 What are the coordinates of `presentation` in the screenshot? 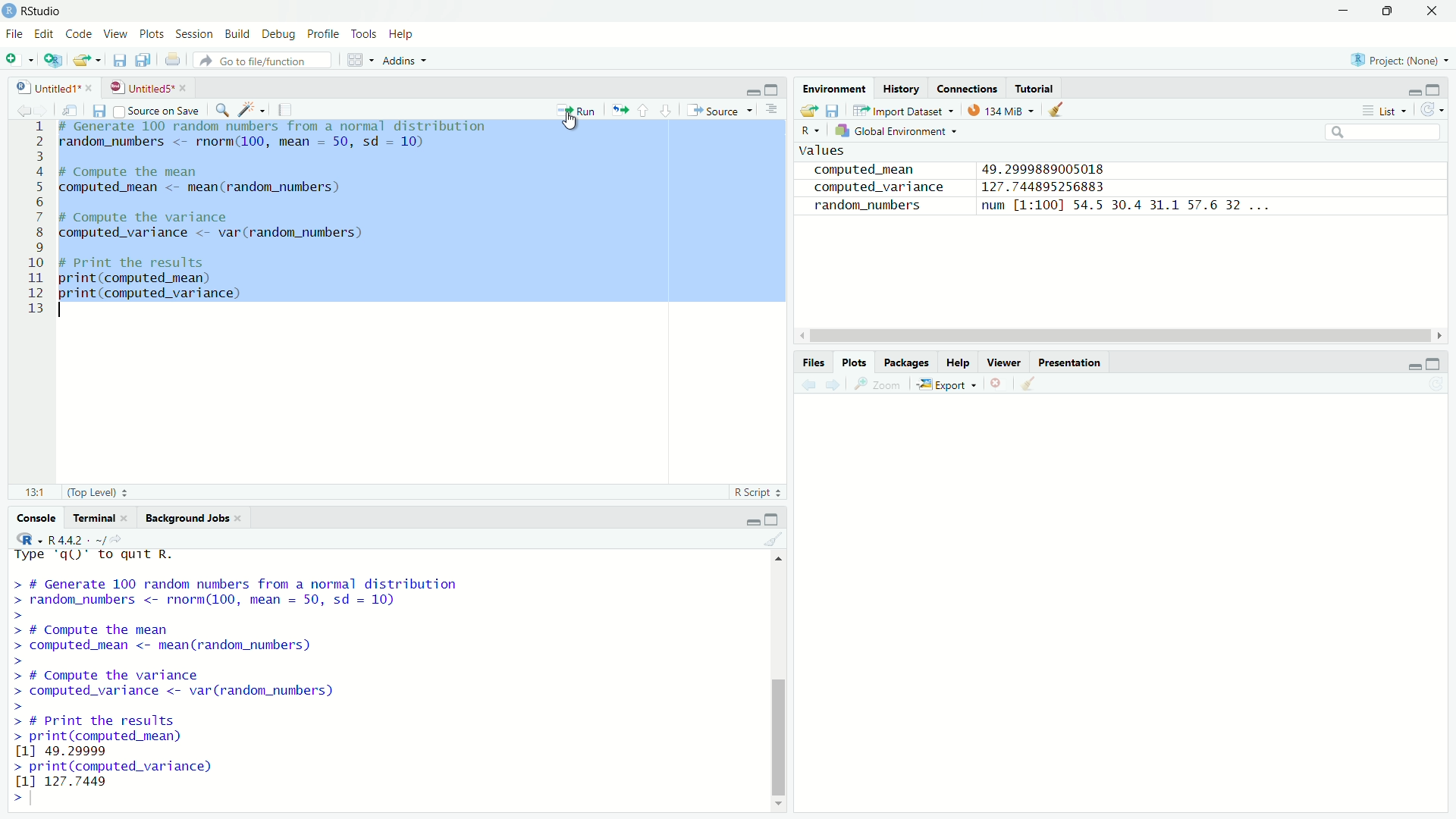 It's located at (1073, 361).